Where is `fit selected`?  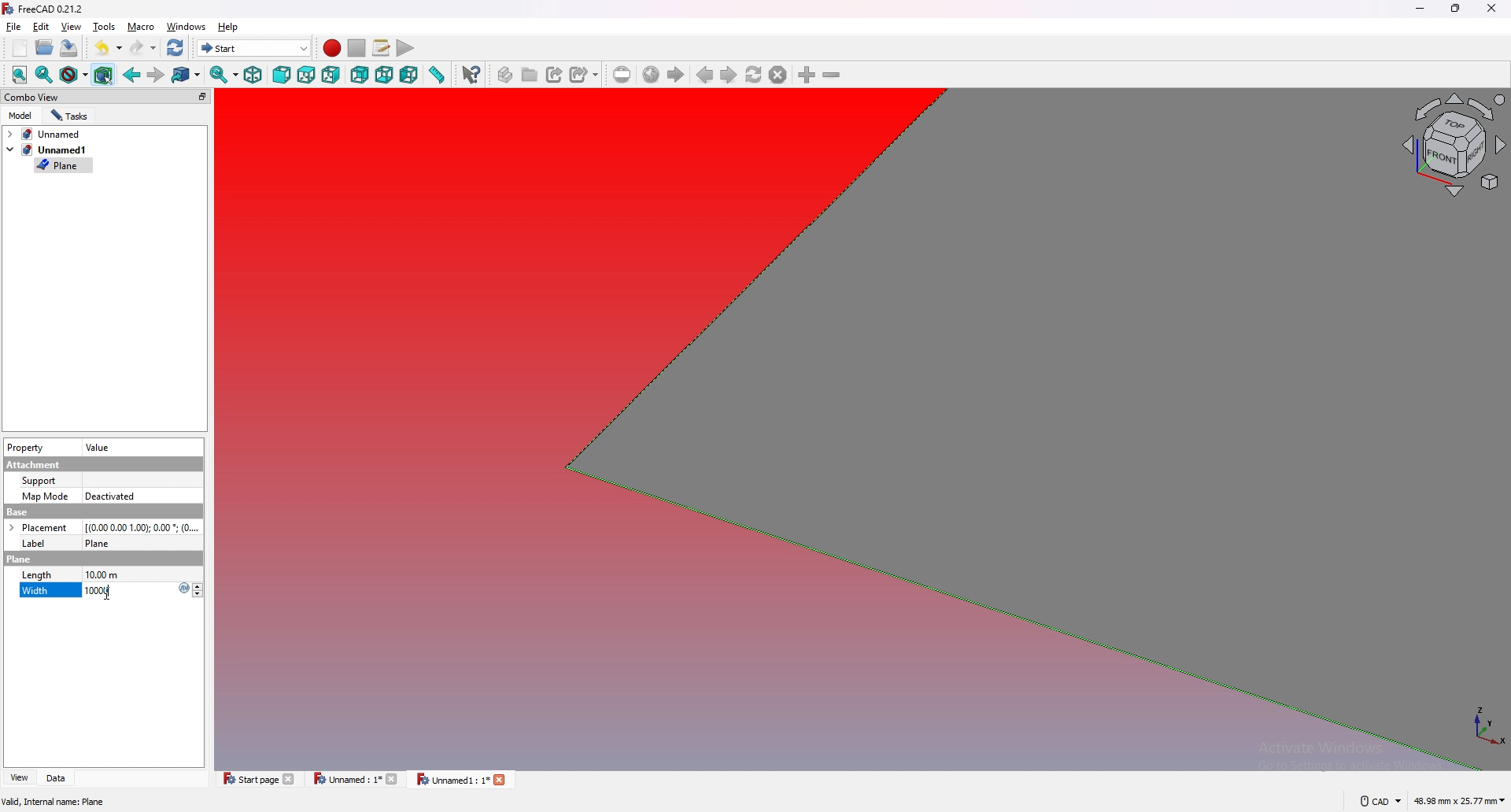 fit selected is located at coordinates (44, 75).